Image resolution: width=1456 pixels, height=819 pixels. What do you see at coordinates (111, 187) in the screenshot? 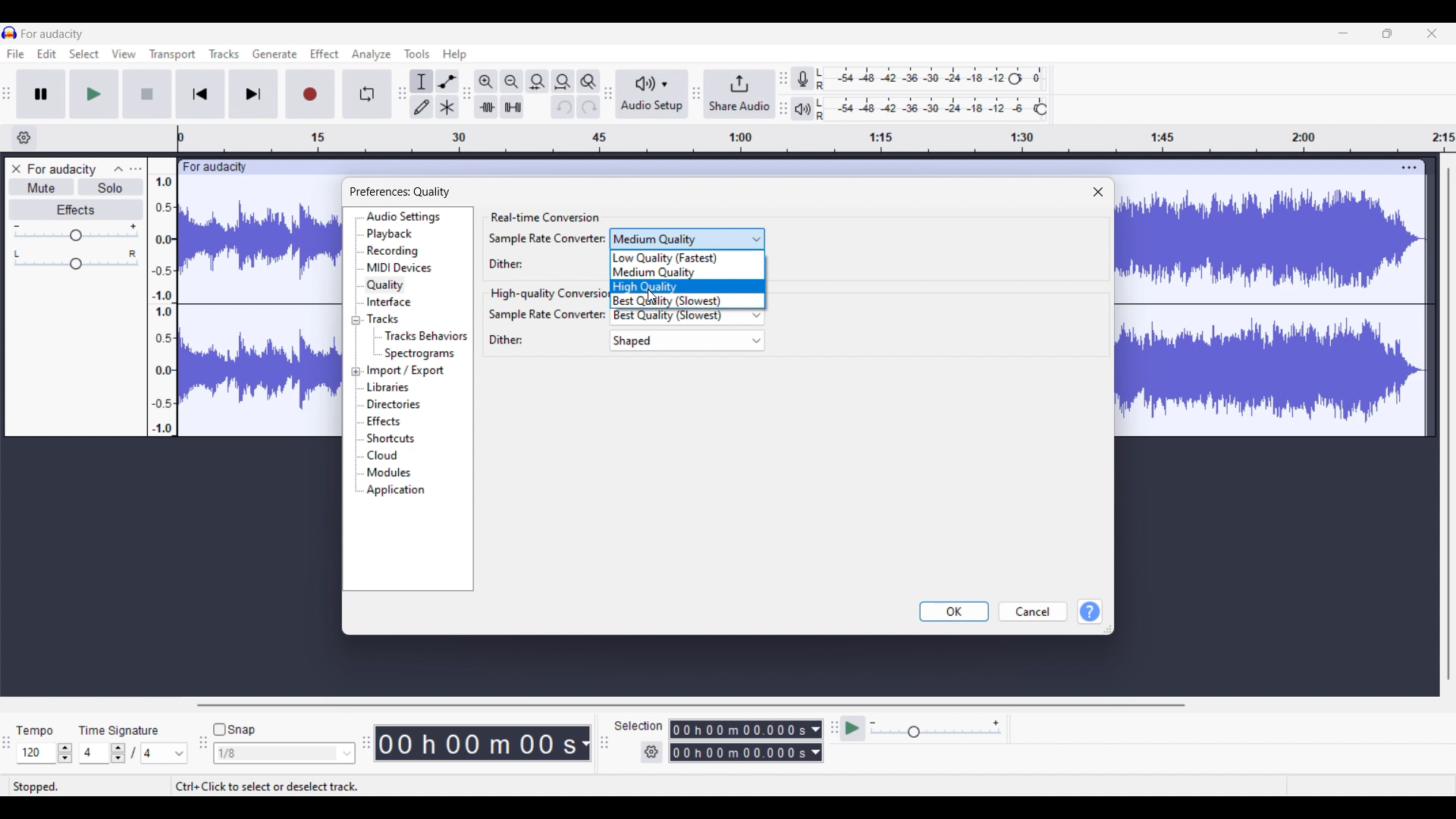
I see `Solo` at bounding box center [111, 187].